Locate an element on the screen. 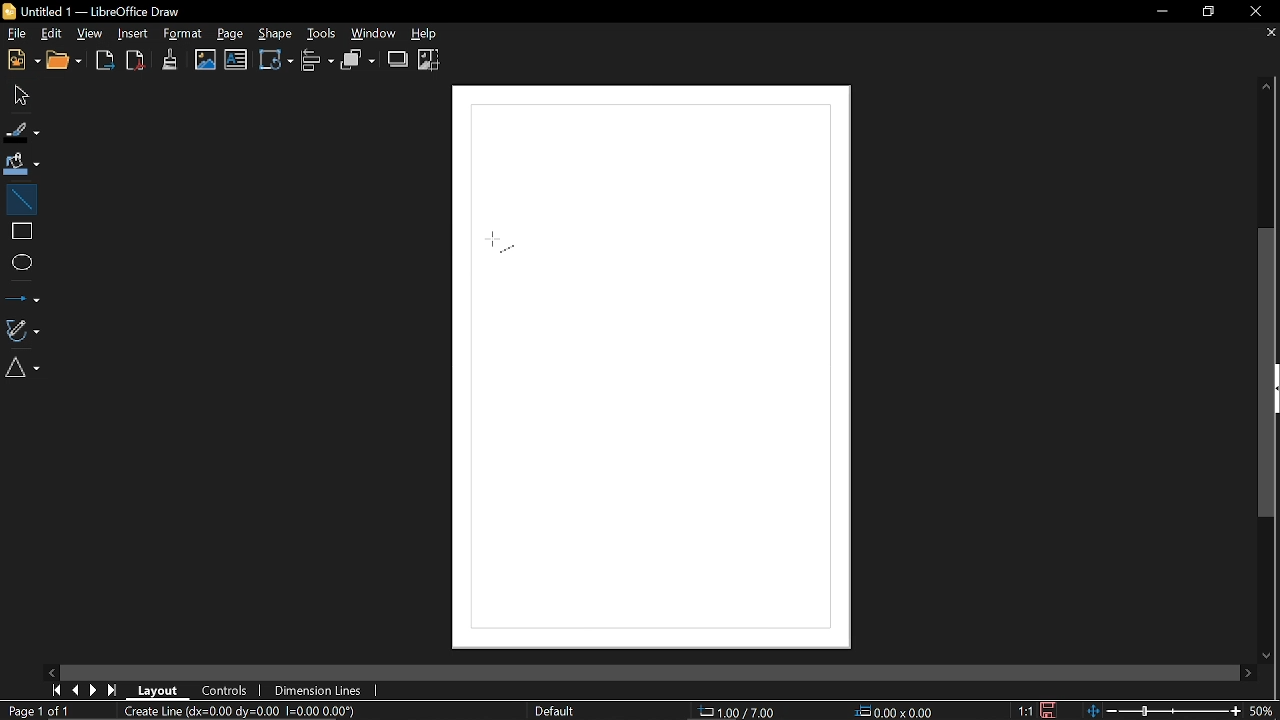 Image resolution: width=1280 pixels, height=720 pixels. Arrange is located at coordinates (359, 61).